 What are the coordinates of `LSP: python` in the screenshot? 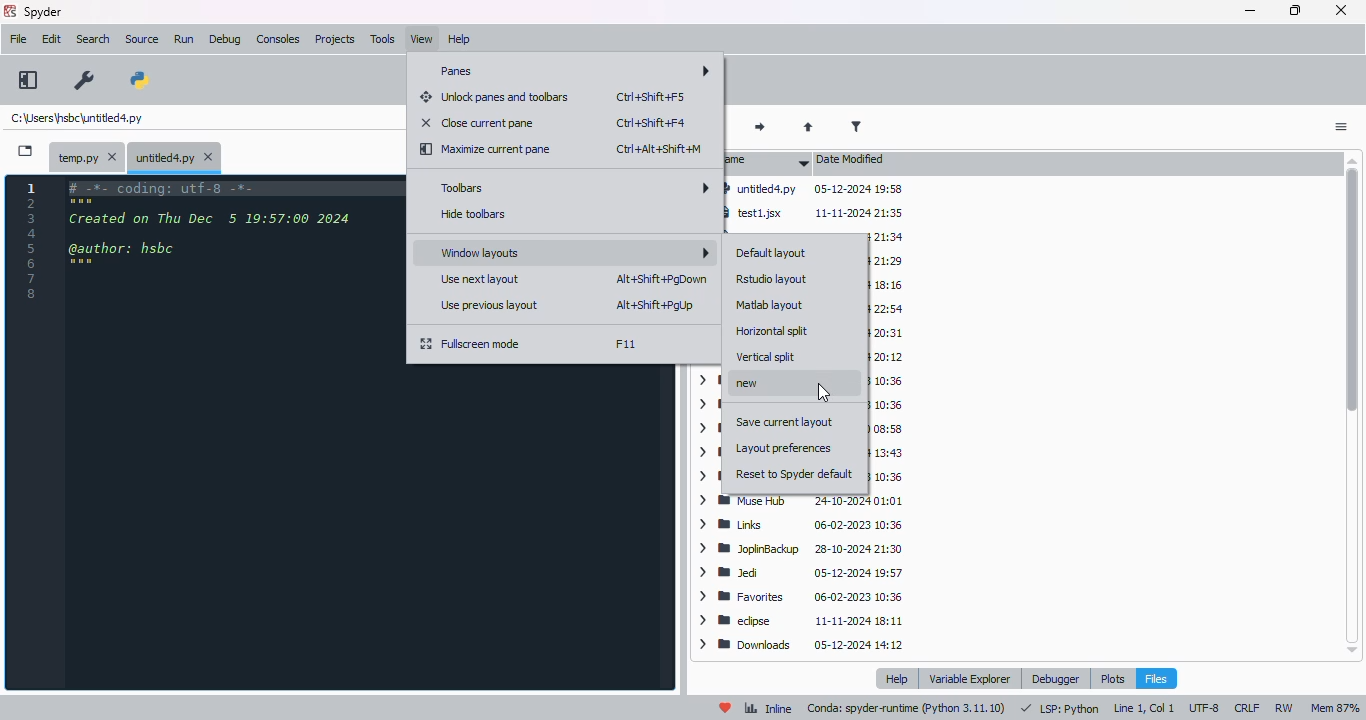 It's located at (1060, 709).